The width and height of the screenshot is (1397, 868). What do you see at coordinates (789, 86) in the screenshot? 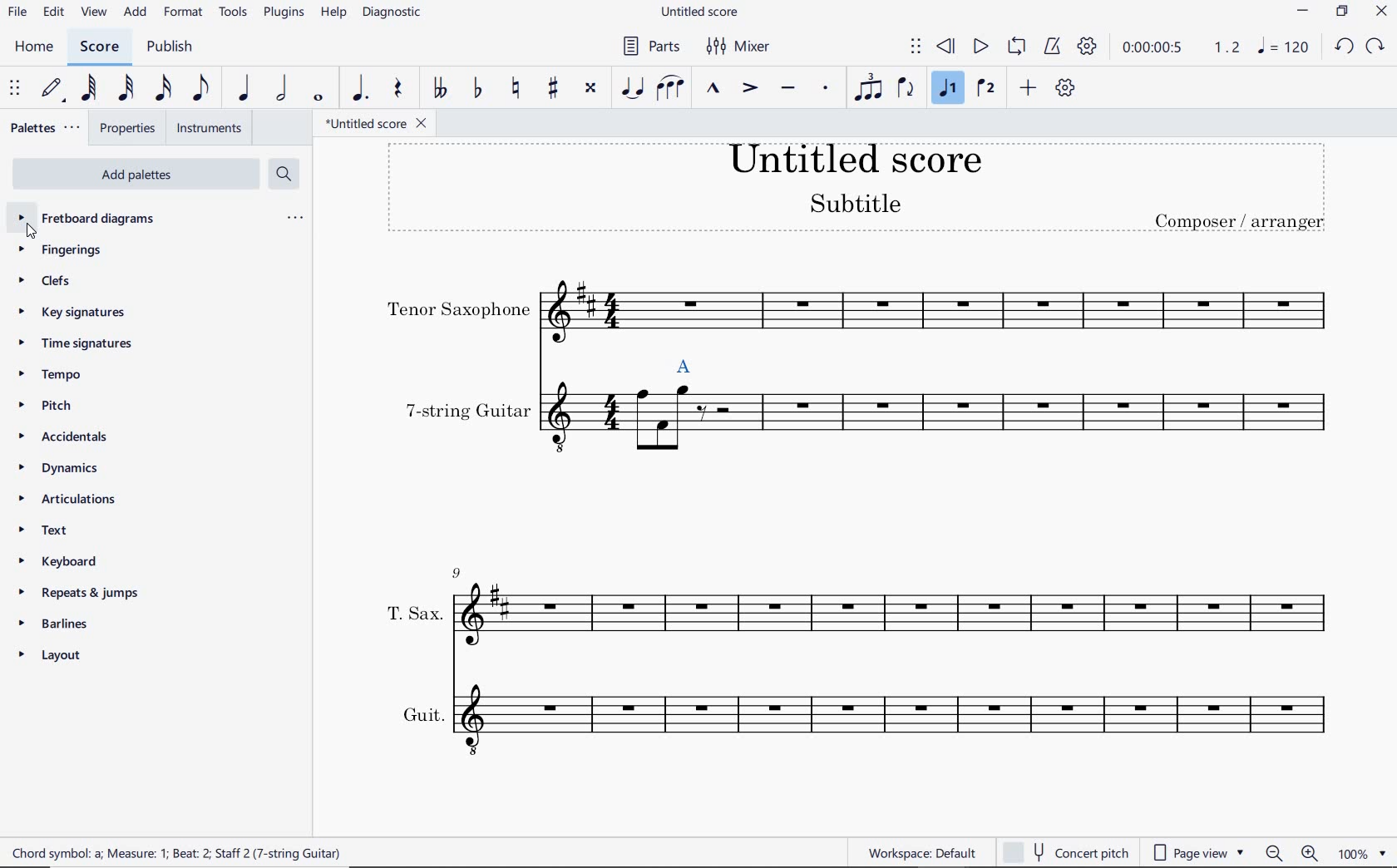
I see `TENUTO` at bounding box center [789, 86].